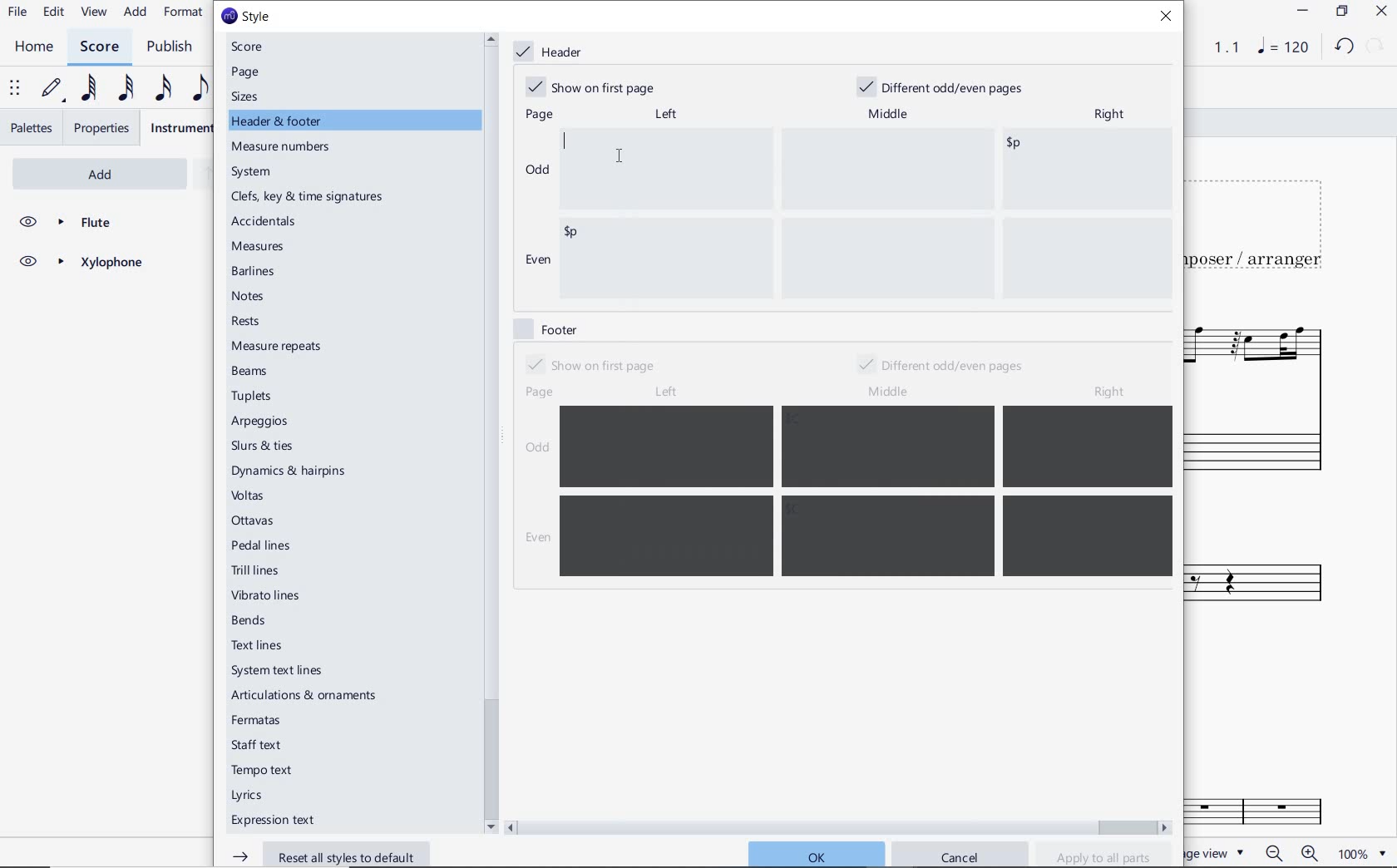  I want to click on ottavas, so click(254, 520).